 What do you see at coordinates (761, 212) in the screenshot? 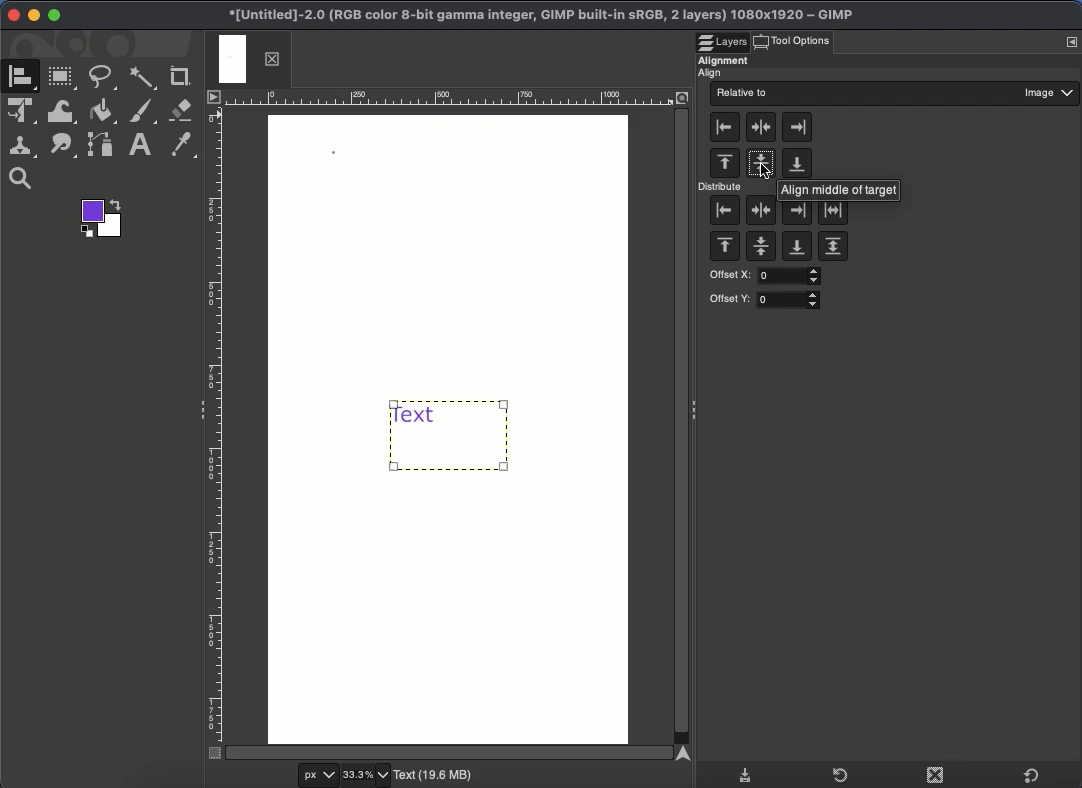
I see `Distribute horizontal centers` at bounding box center [761, 212].